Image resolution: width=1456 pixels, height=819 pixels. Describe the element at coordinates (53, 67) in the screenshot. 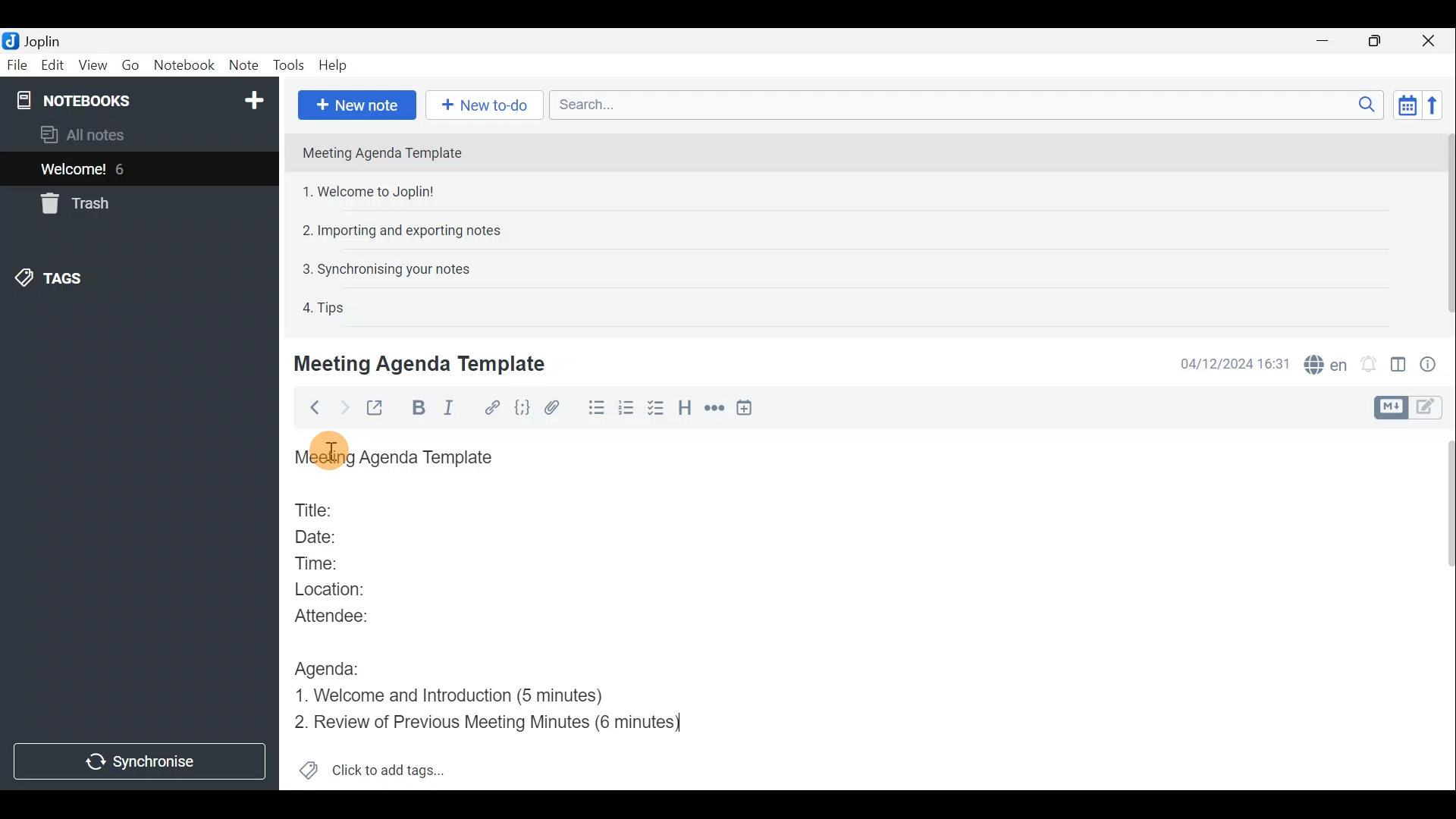

I see `Edit` at that location.